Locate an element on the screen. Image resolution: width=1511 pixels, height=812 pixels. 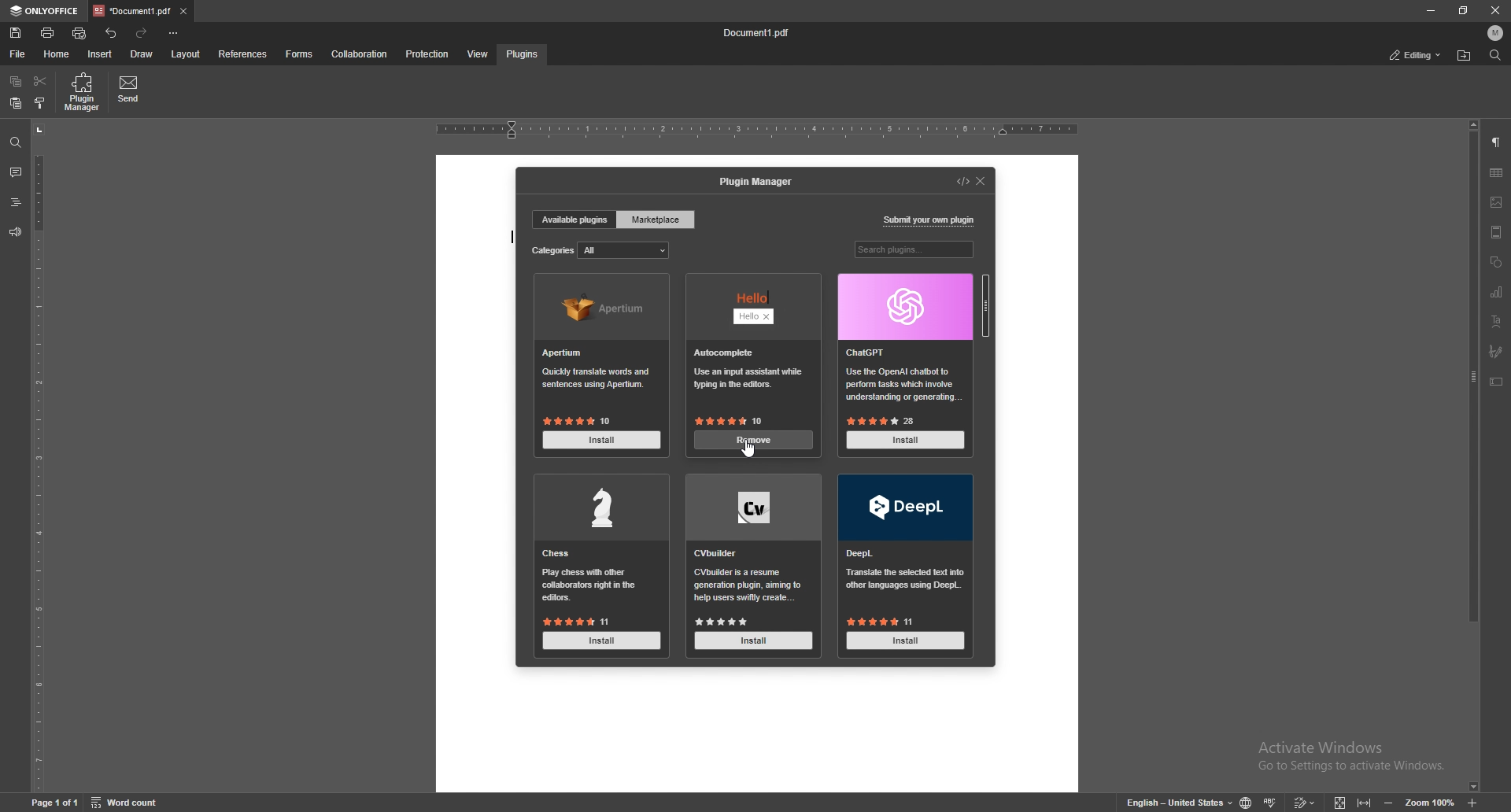
chart is located at coordinates (1498, 293).